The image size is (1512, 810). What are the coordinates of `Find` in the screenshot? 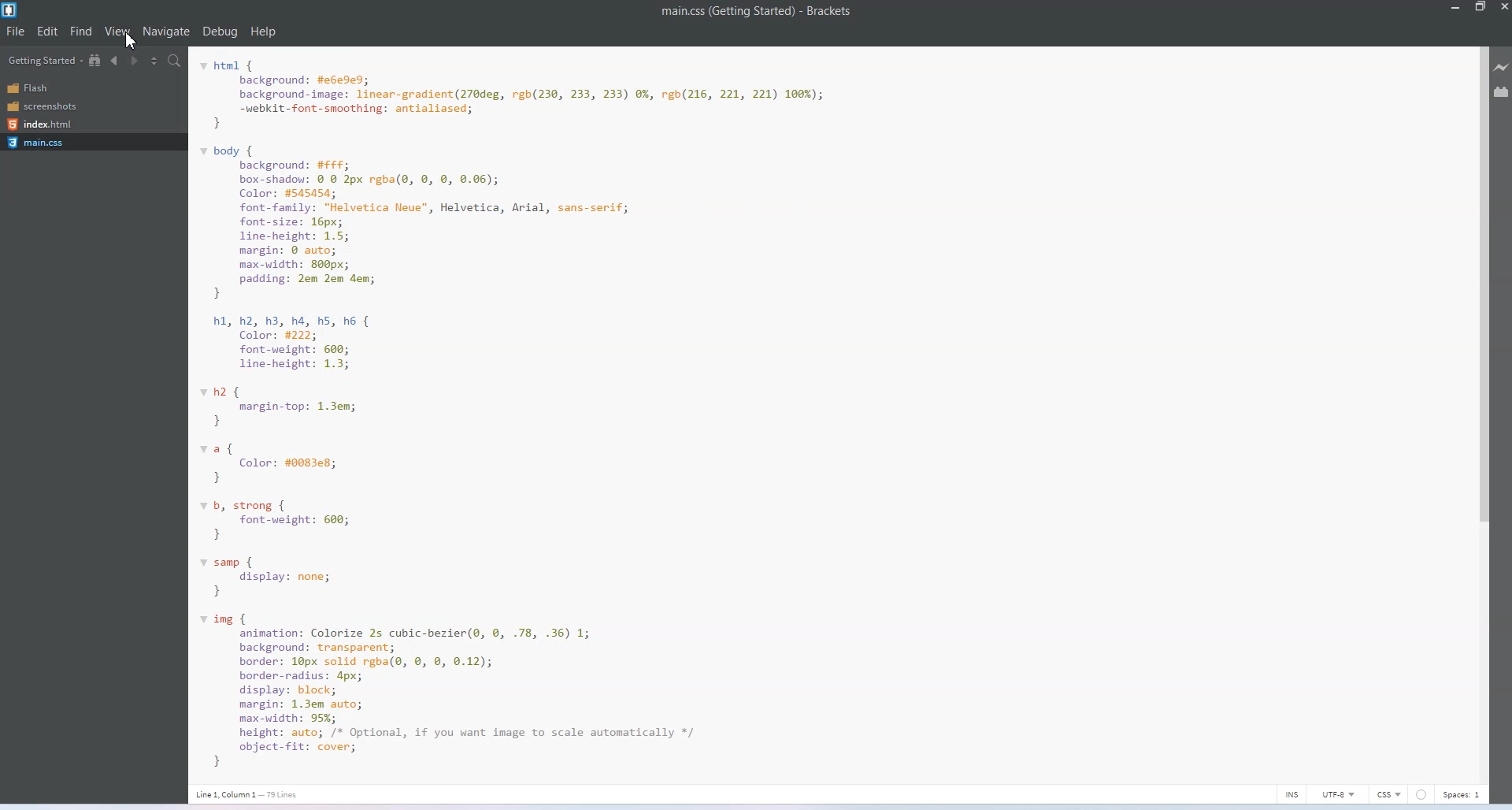 It's located at (83, 32).